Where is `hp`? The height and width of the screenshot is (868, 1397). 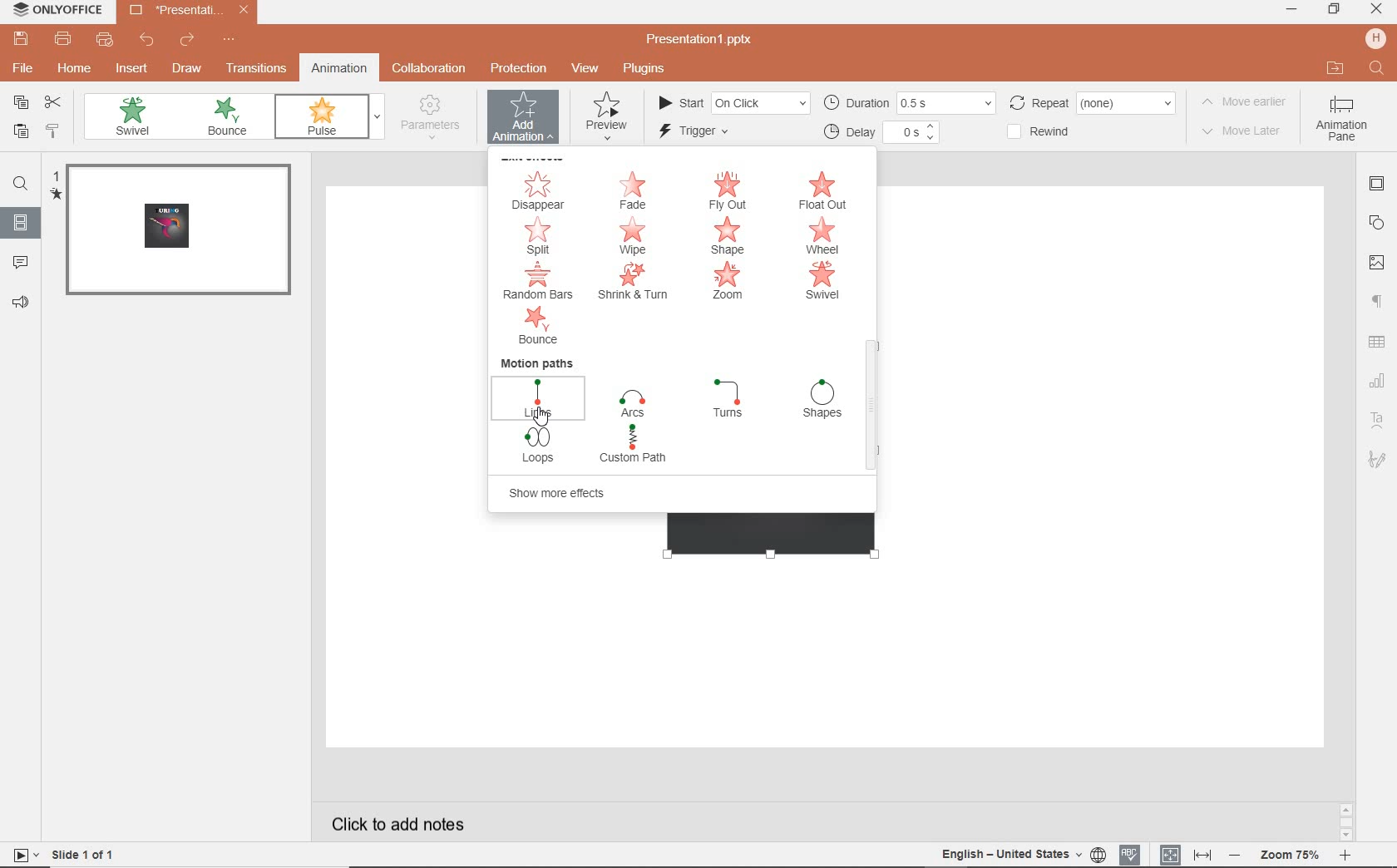 hp is located at coordinates (1376, 38).